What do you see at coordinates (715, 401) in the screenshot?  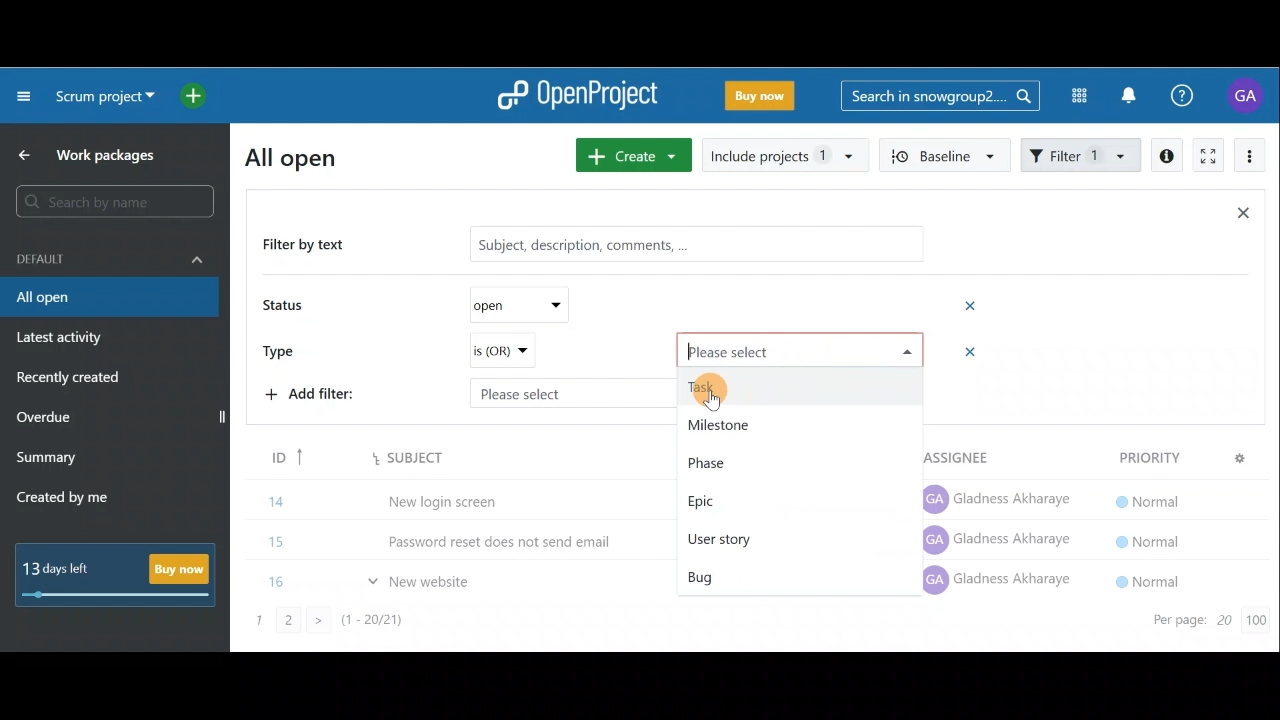 I see `mouse pointer` at bounding box center [715, 401].